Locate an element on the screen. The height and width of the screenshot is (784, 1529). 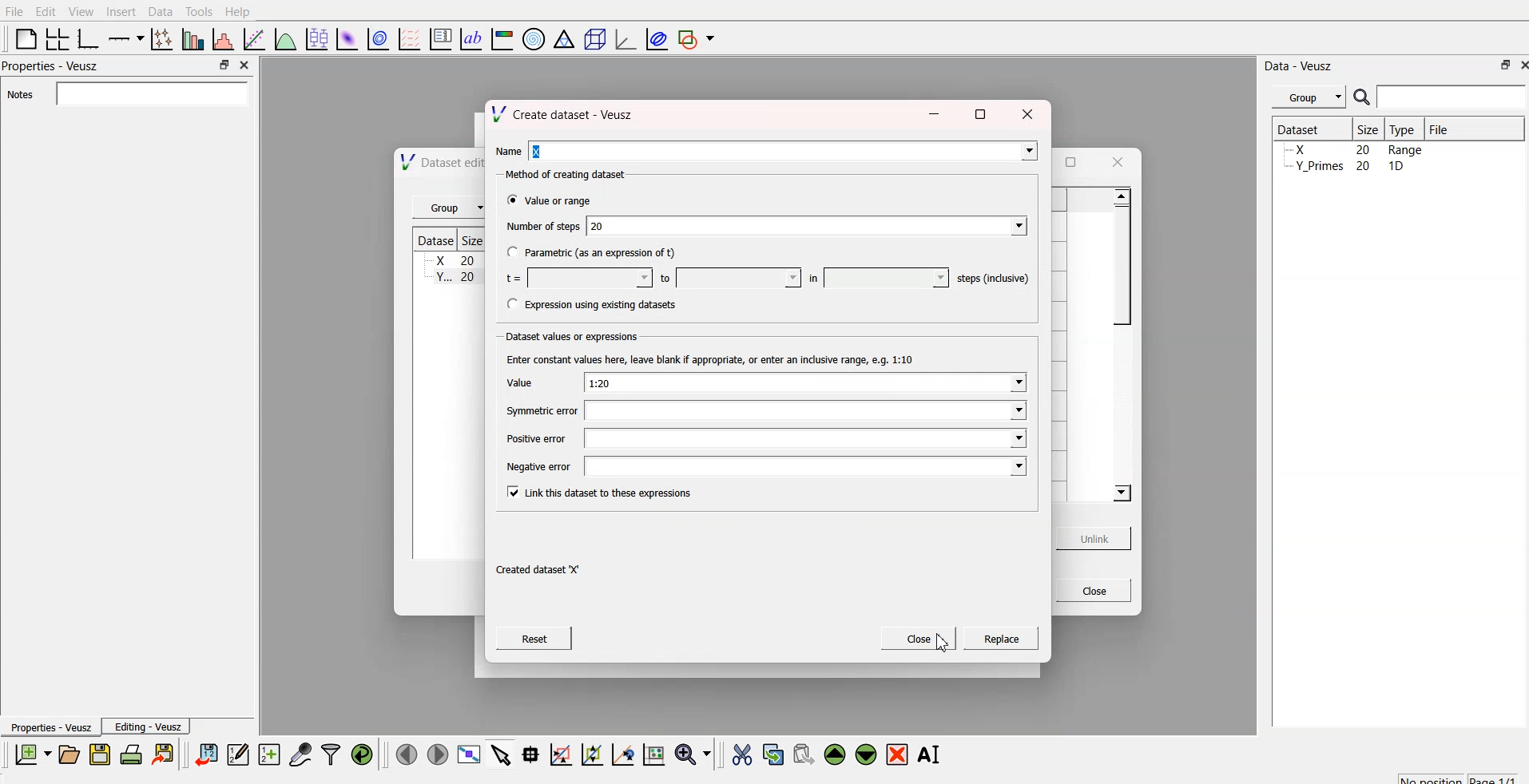
plot covariance ellipses is located at coordinates (657, 38).